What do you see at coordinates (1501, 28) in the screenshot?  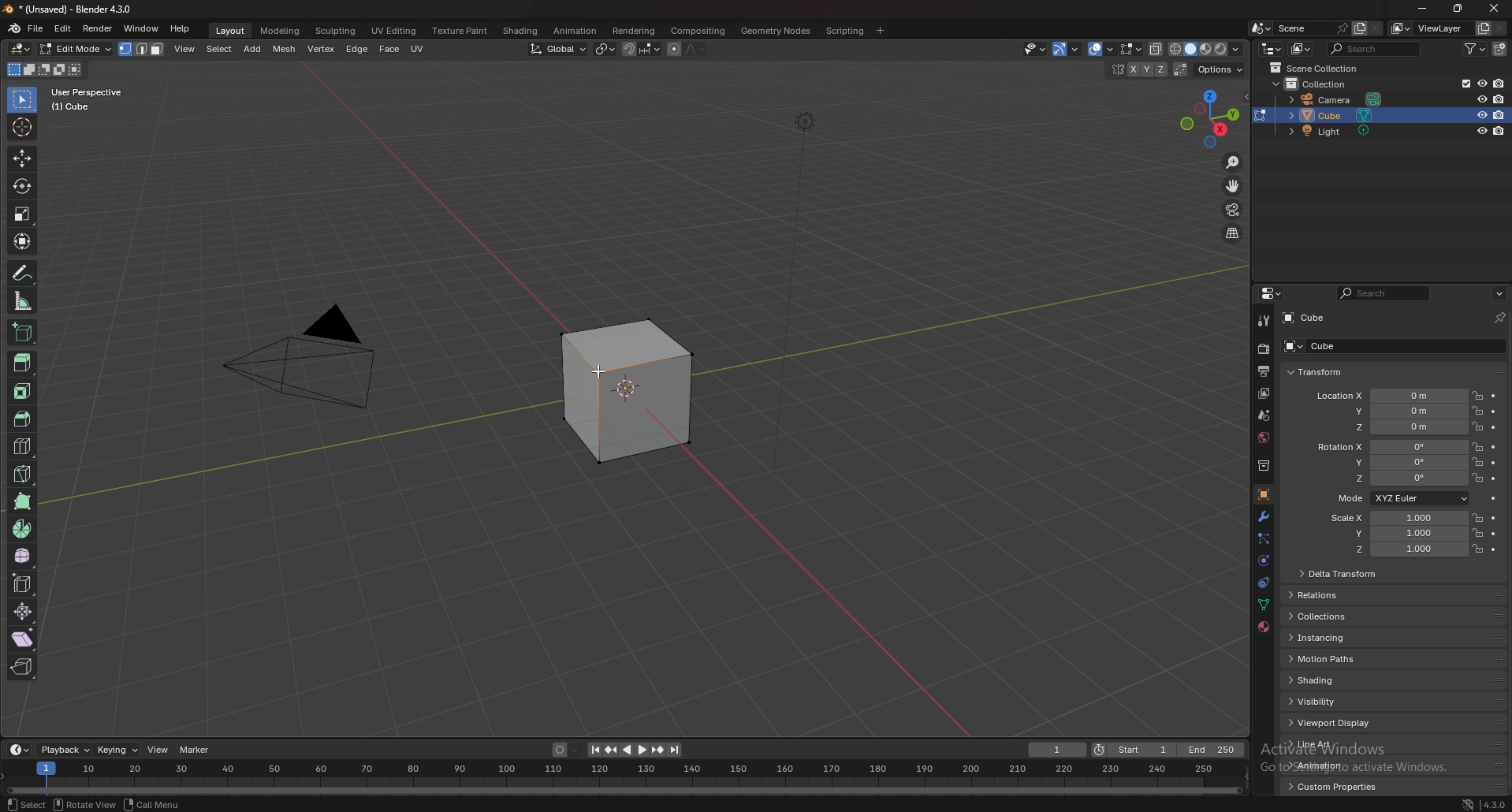 I see `remove view layer` at bounding box center [1501, 28].